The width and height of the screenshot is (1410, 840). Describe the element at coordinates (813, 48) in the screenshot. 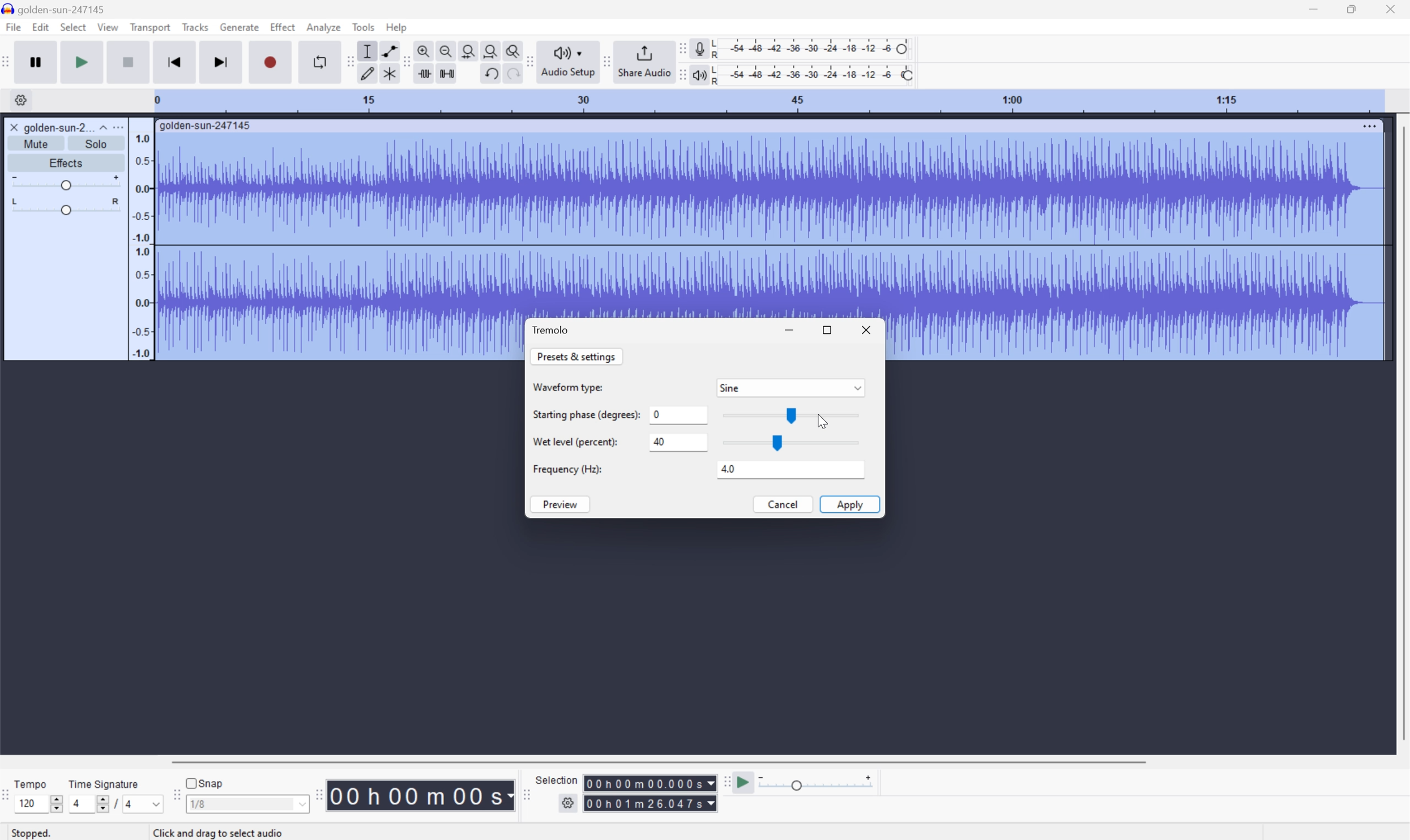

I see `Recording level: 62%` at that location.